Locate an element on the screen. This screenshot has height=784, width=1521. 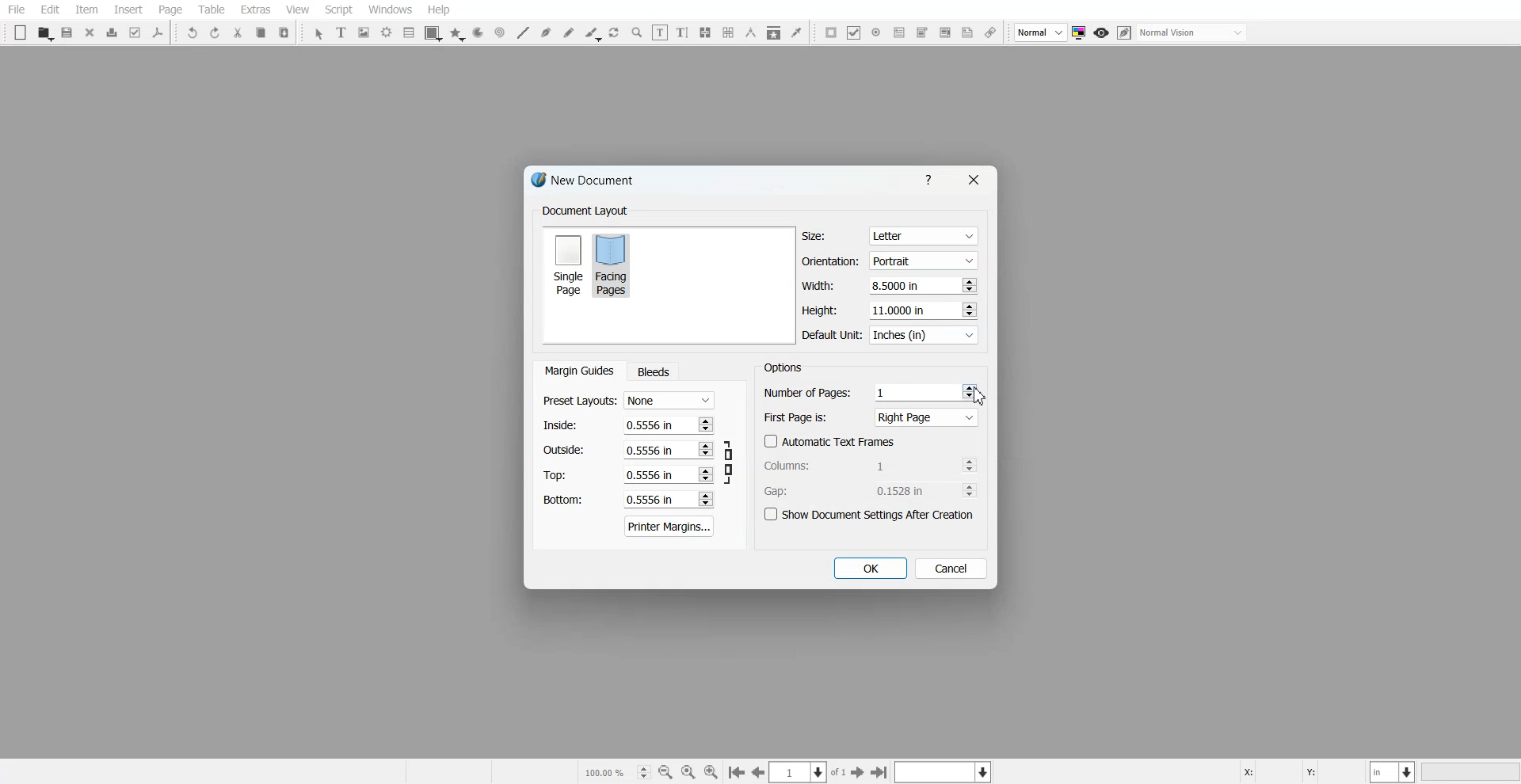
Link Annotation is located at coordinates (990, 33).